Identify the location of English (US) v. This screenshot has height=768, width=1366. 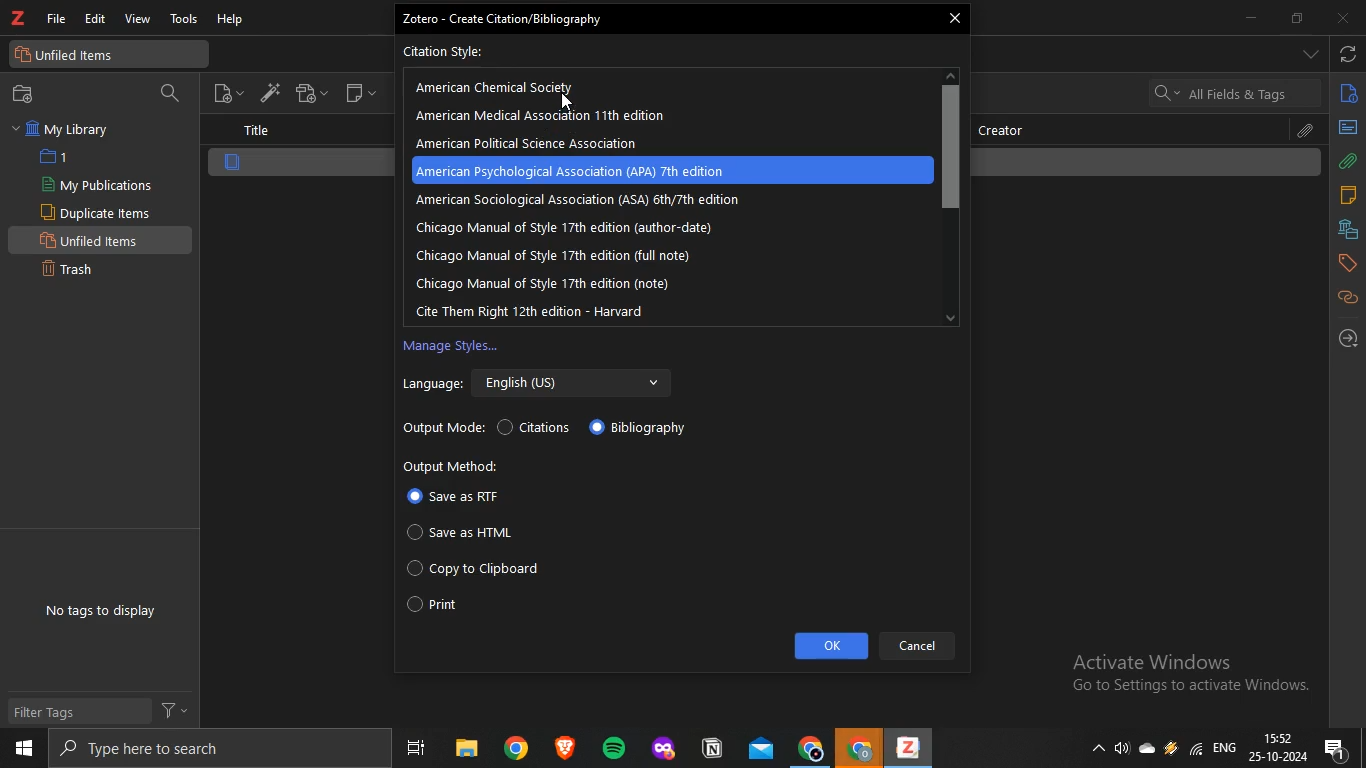
(577, 381).